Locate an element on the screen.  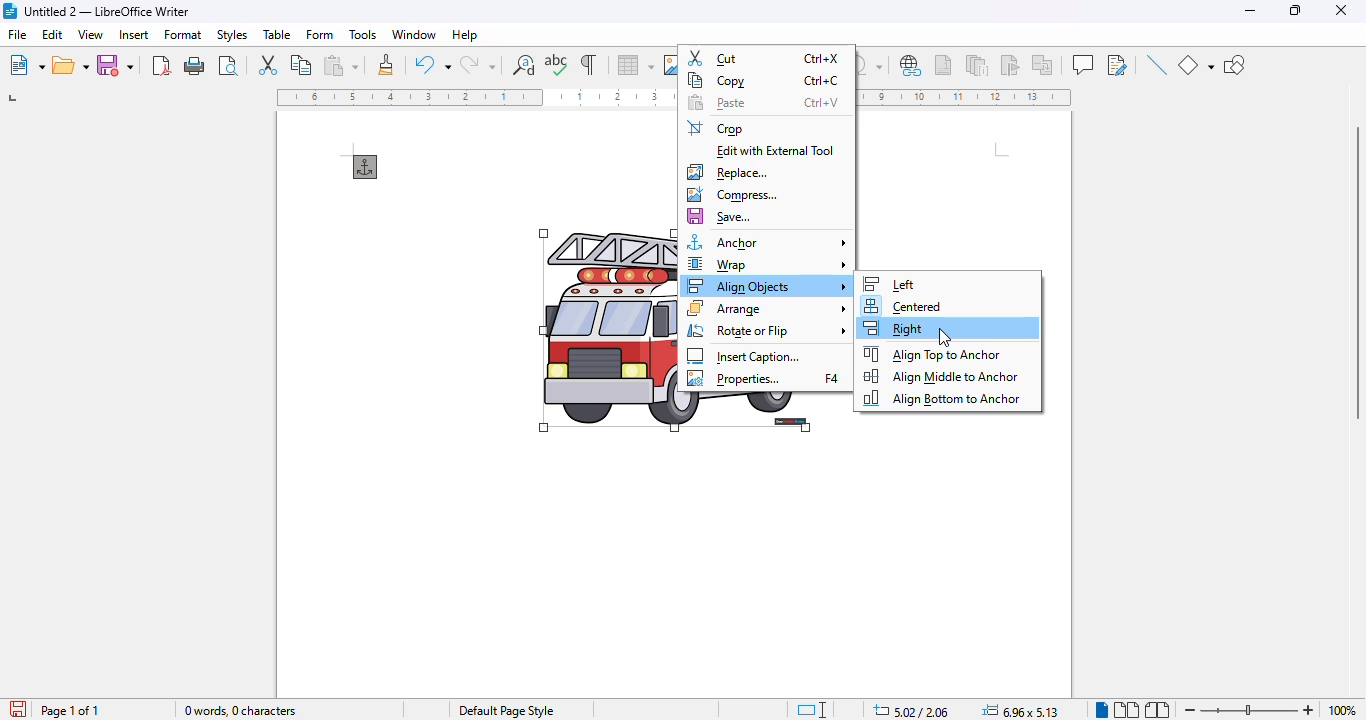
anchor is located at coordinates (768, 242).